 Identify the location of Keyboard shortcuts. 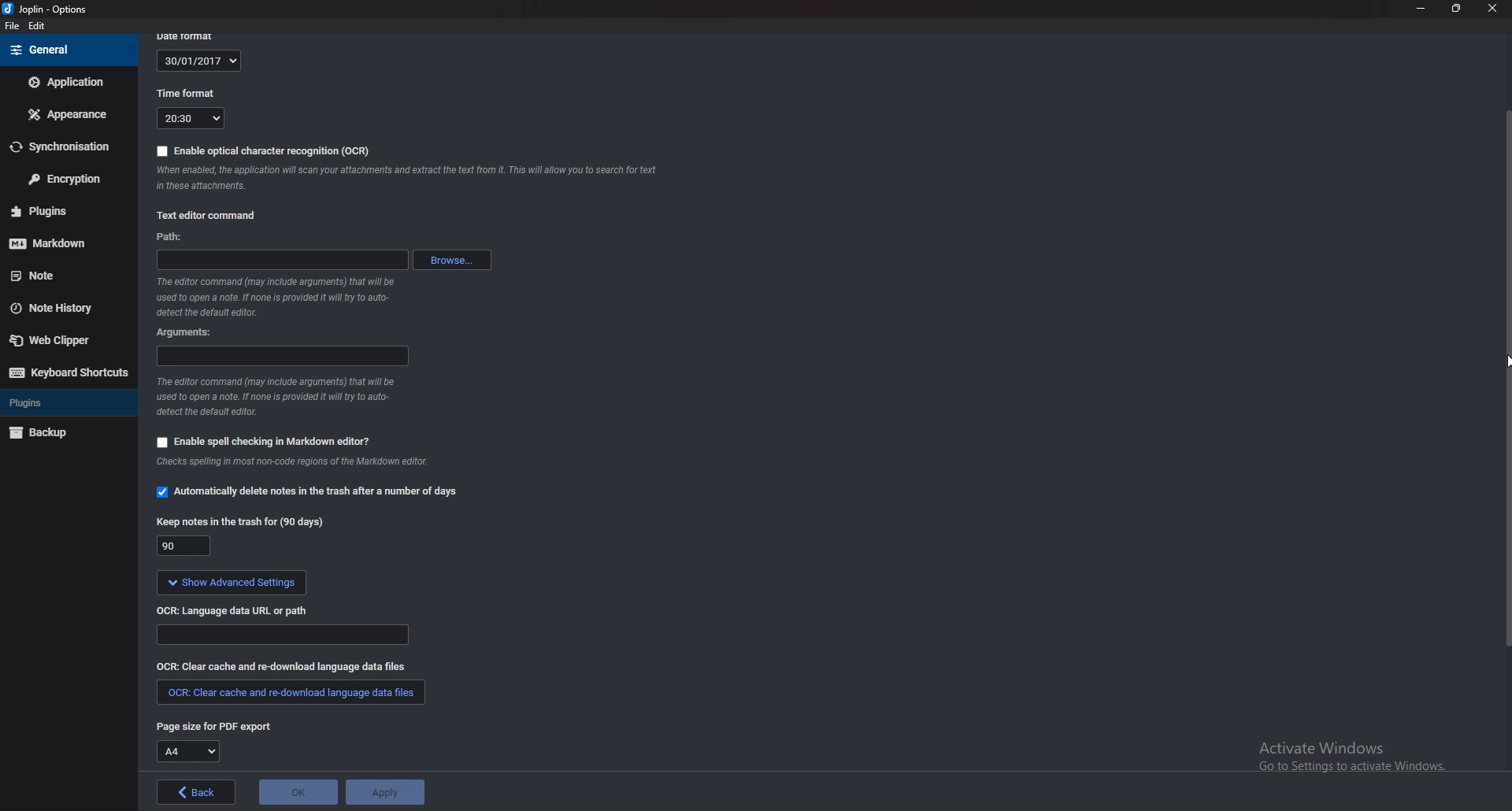
(66, 373).